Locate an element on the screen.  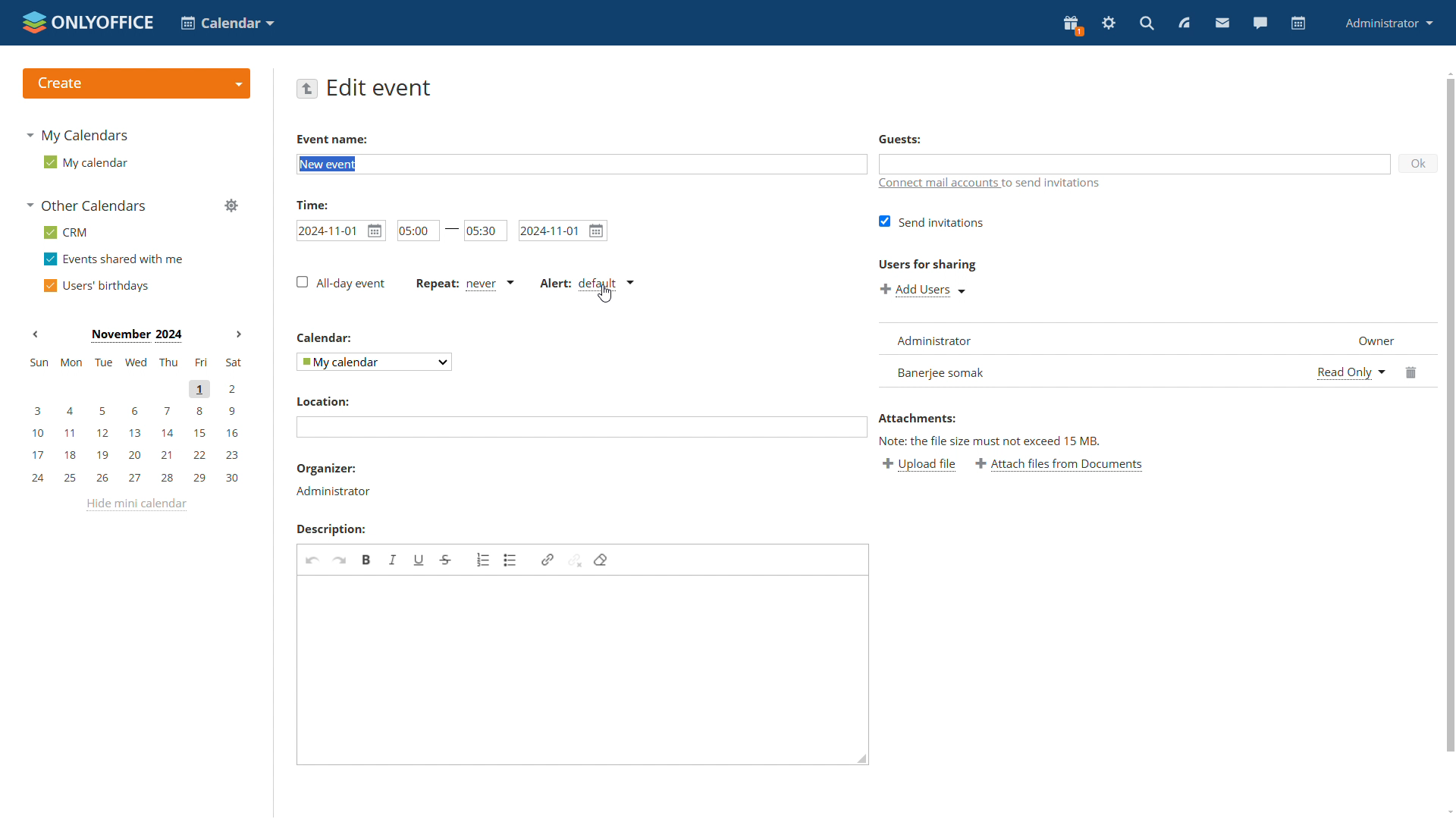
attach files from documents is located at coordinates (1059, 464).